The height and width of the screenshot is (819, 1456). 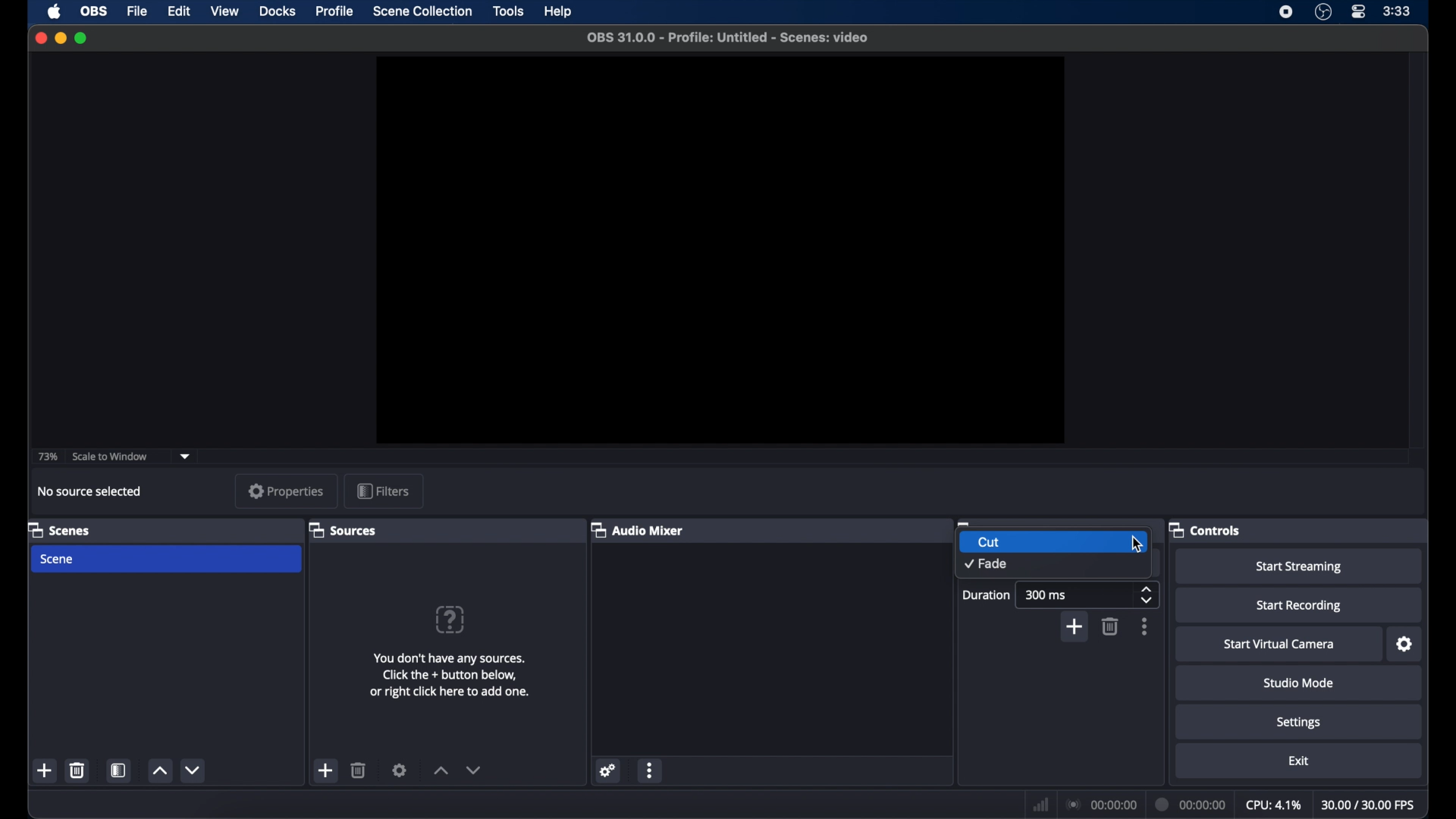 I want to click on tools, so click(x=509, y=11).